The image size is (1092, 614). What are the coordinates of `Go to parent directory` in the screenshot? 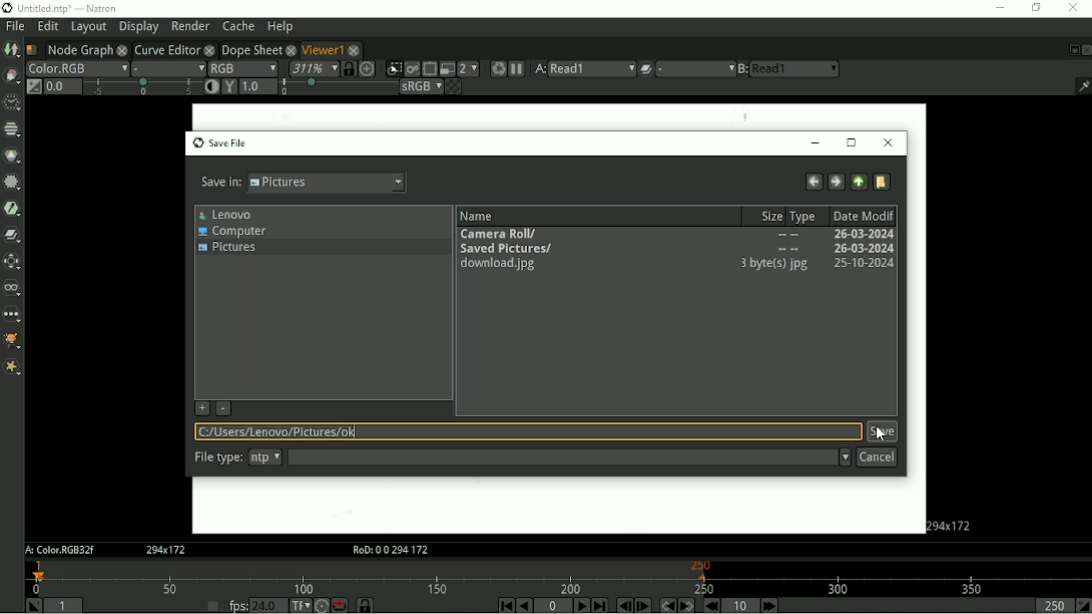 It's located at (858, 182).